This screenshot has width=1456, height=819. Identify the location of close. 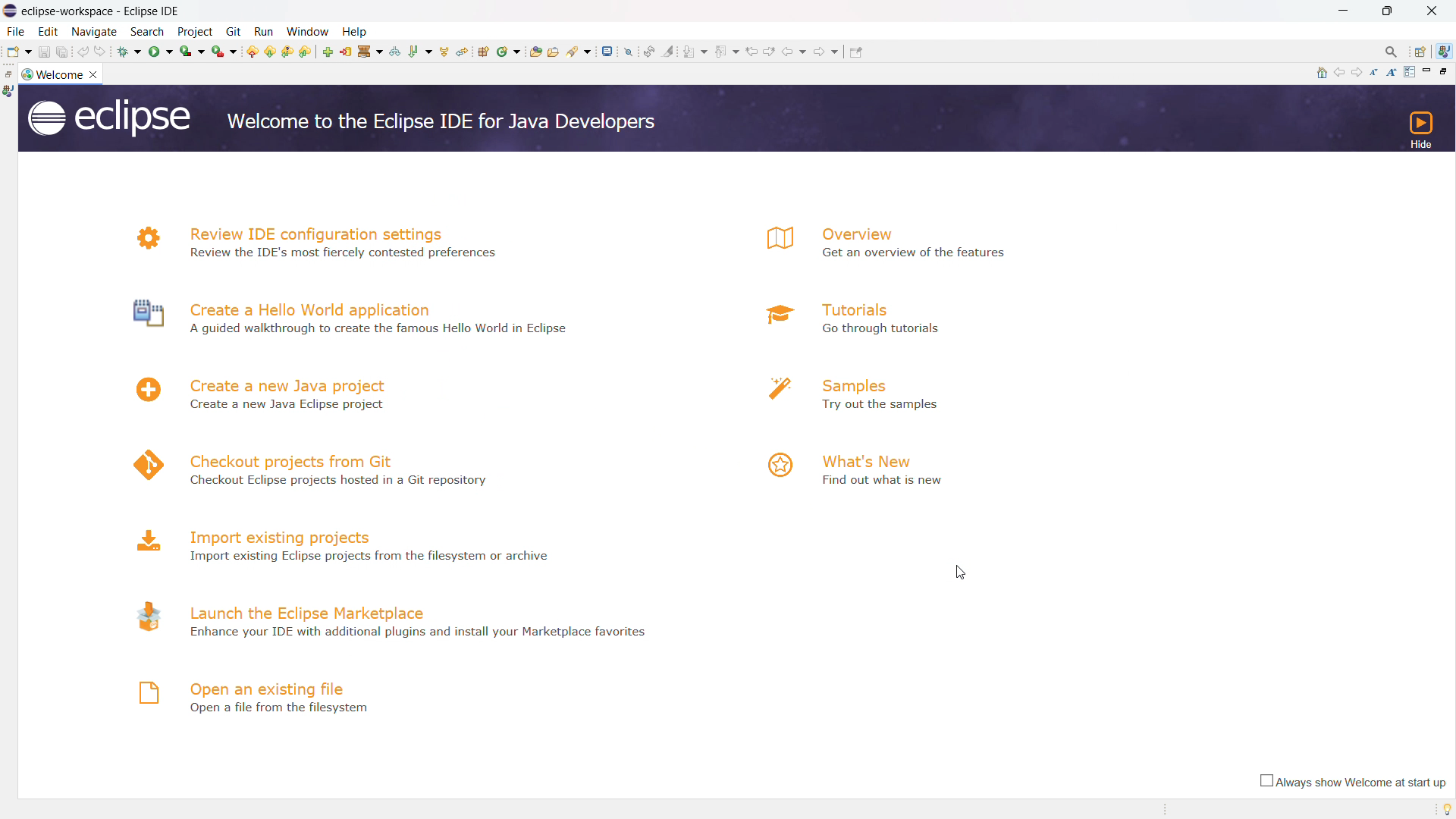
(96, 74).